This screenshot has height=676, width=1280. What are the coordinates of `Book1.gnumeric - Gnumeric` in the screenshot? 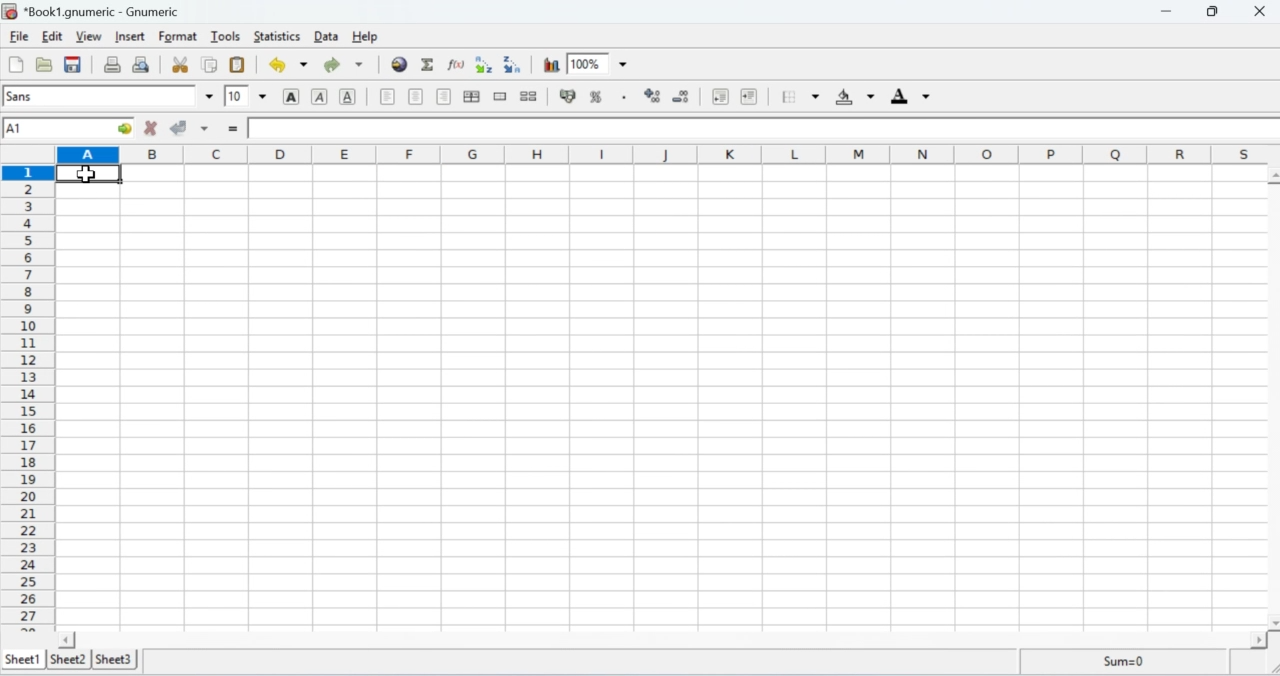 It's located at (106, 13).